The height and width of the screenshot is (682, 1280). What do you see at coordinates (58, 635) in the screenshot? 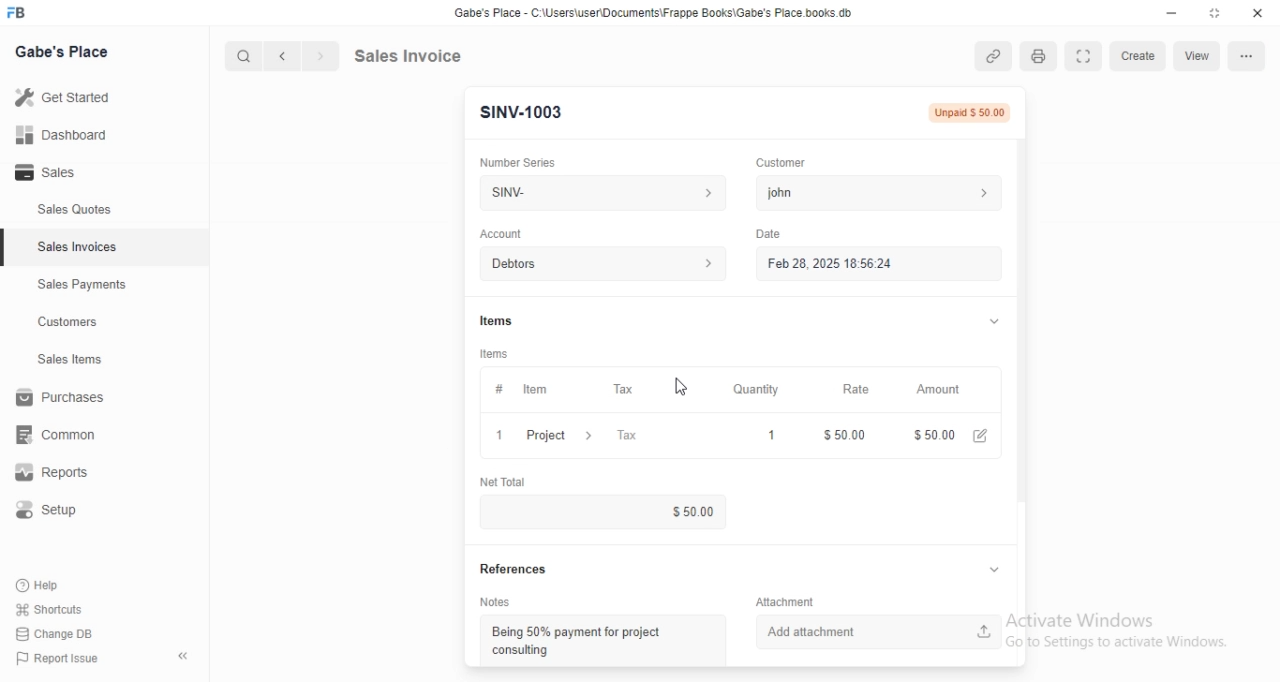
I see `Change DB` at bounding box center [58, 635].